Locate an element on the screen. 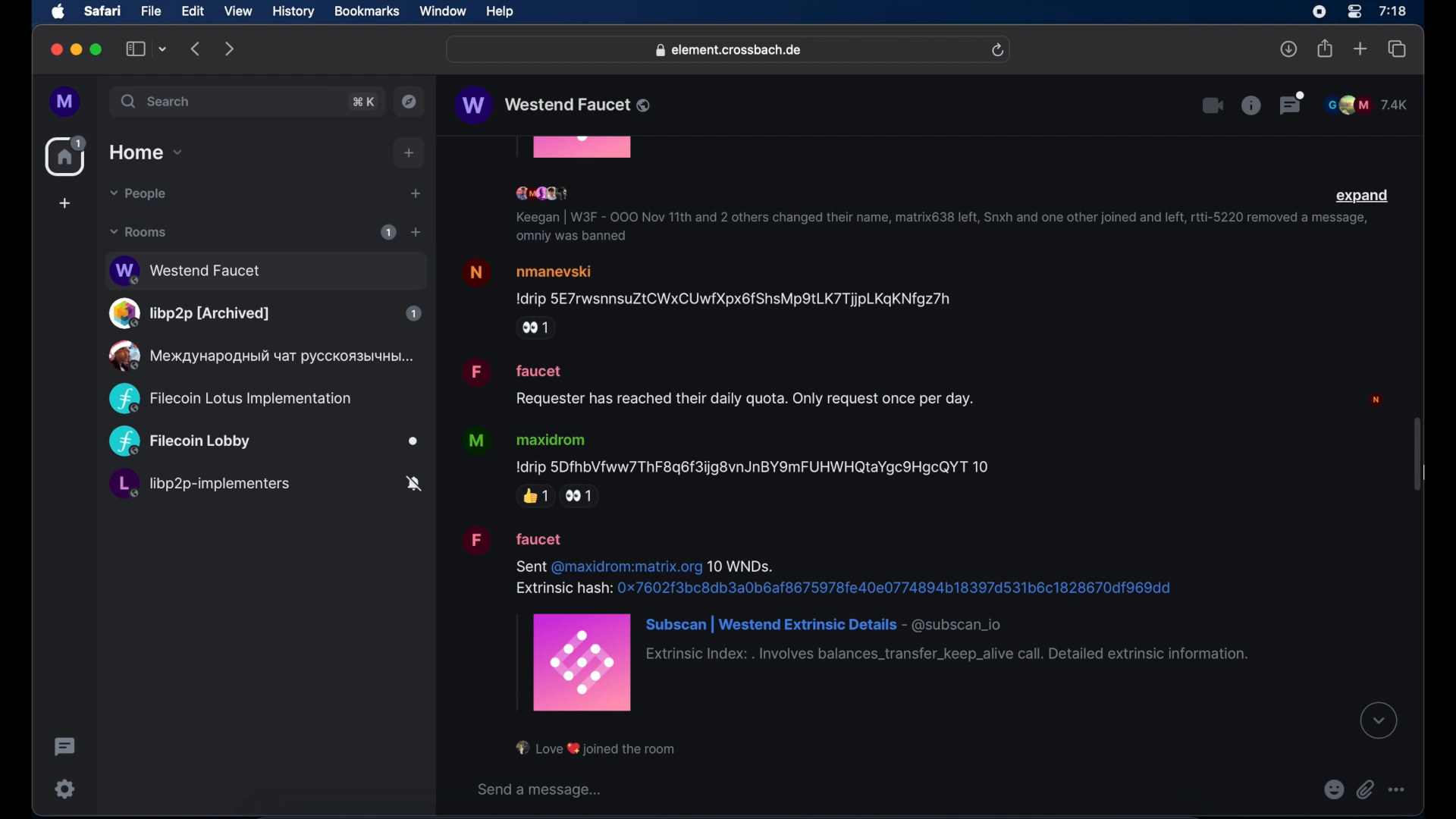 The width and height of the screenshot is (1456, 819). tab group picker is located at coordinates (163, 49).